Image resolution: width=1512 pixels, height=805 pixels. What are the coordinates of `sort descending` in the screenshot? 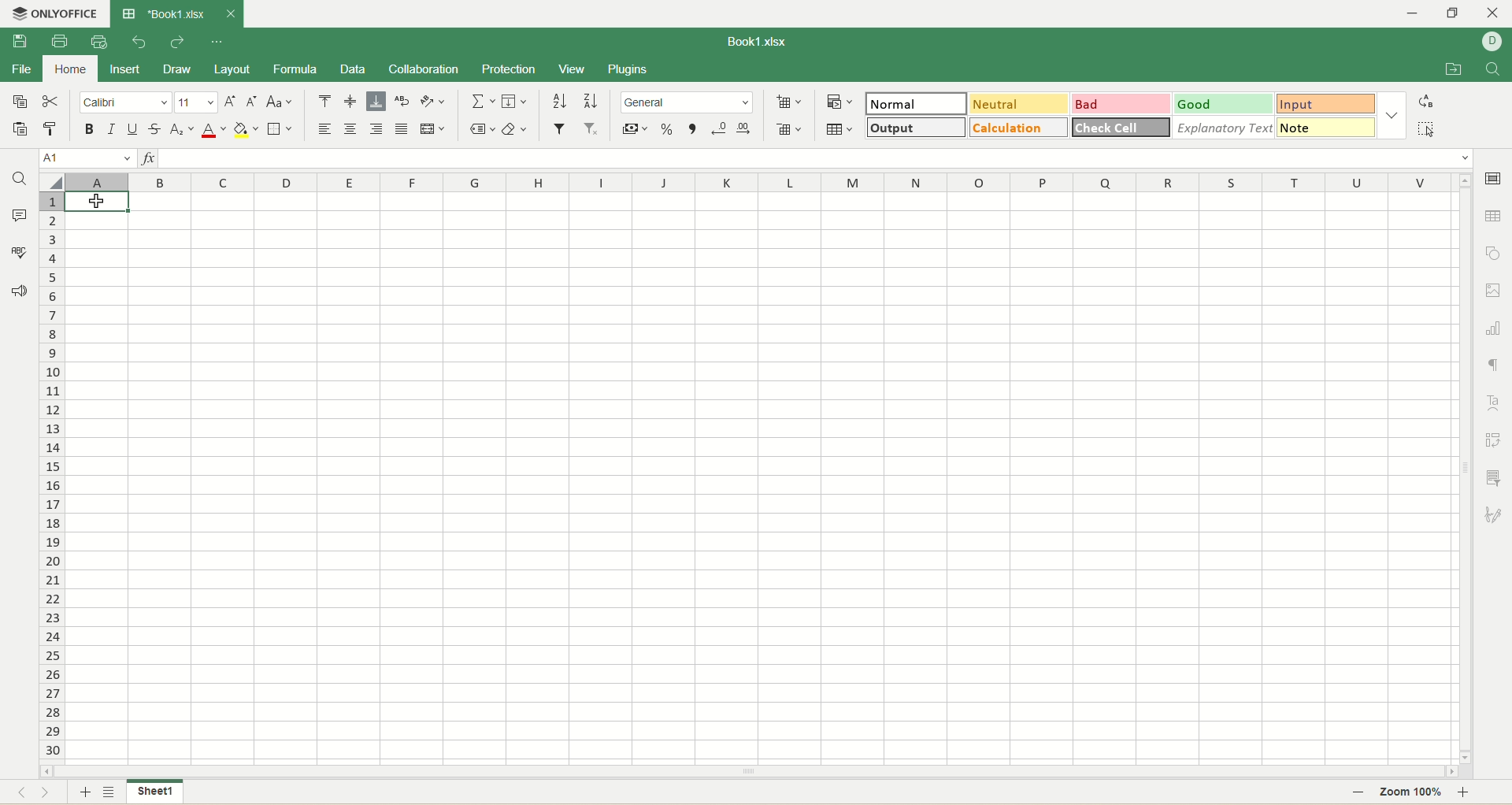 It's located at (589, 102).